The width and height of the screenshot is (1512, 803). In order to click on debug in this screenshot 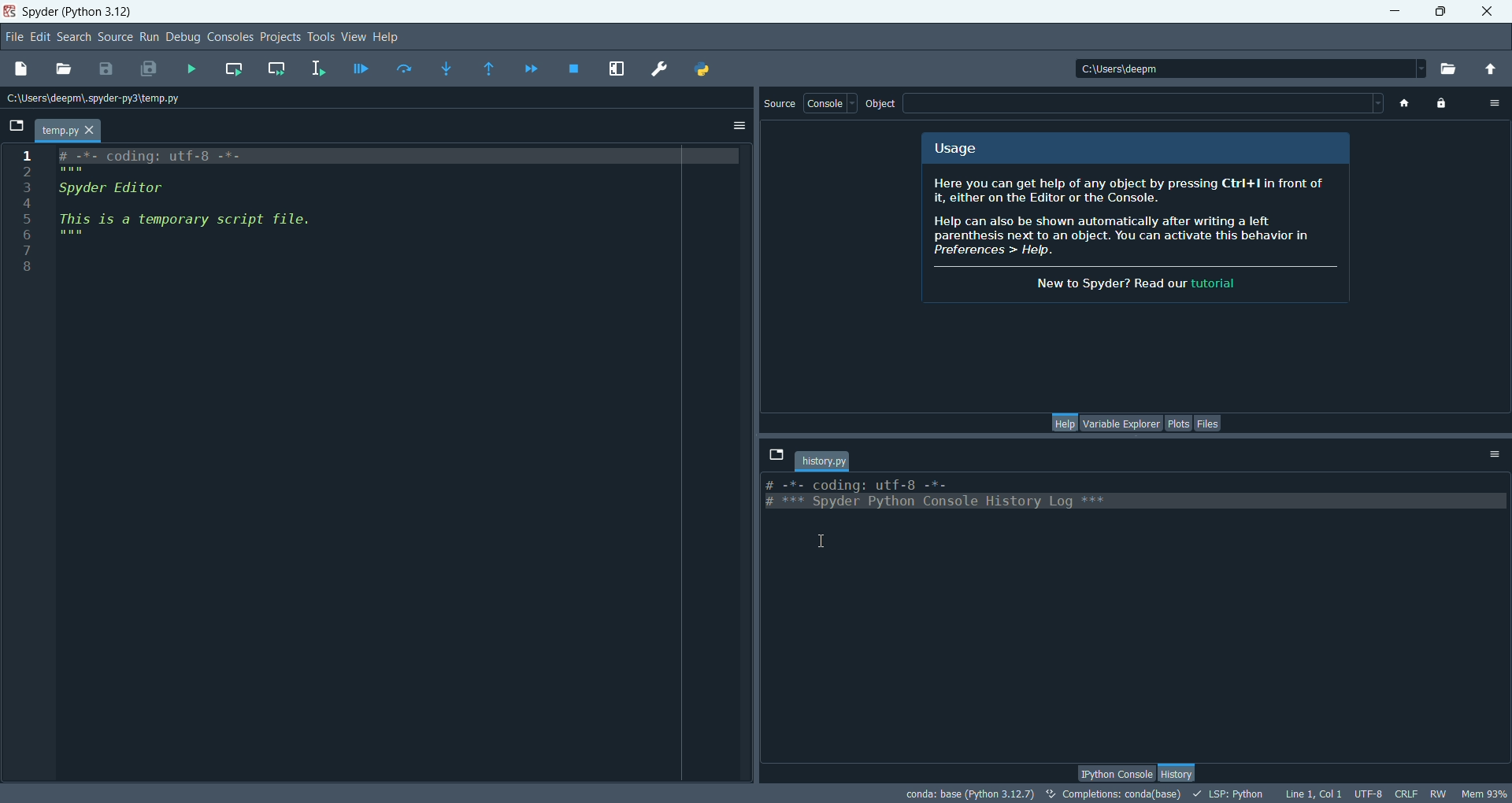, I will do `click(182, 38)`.